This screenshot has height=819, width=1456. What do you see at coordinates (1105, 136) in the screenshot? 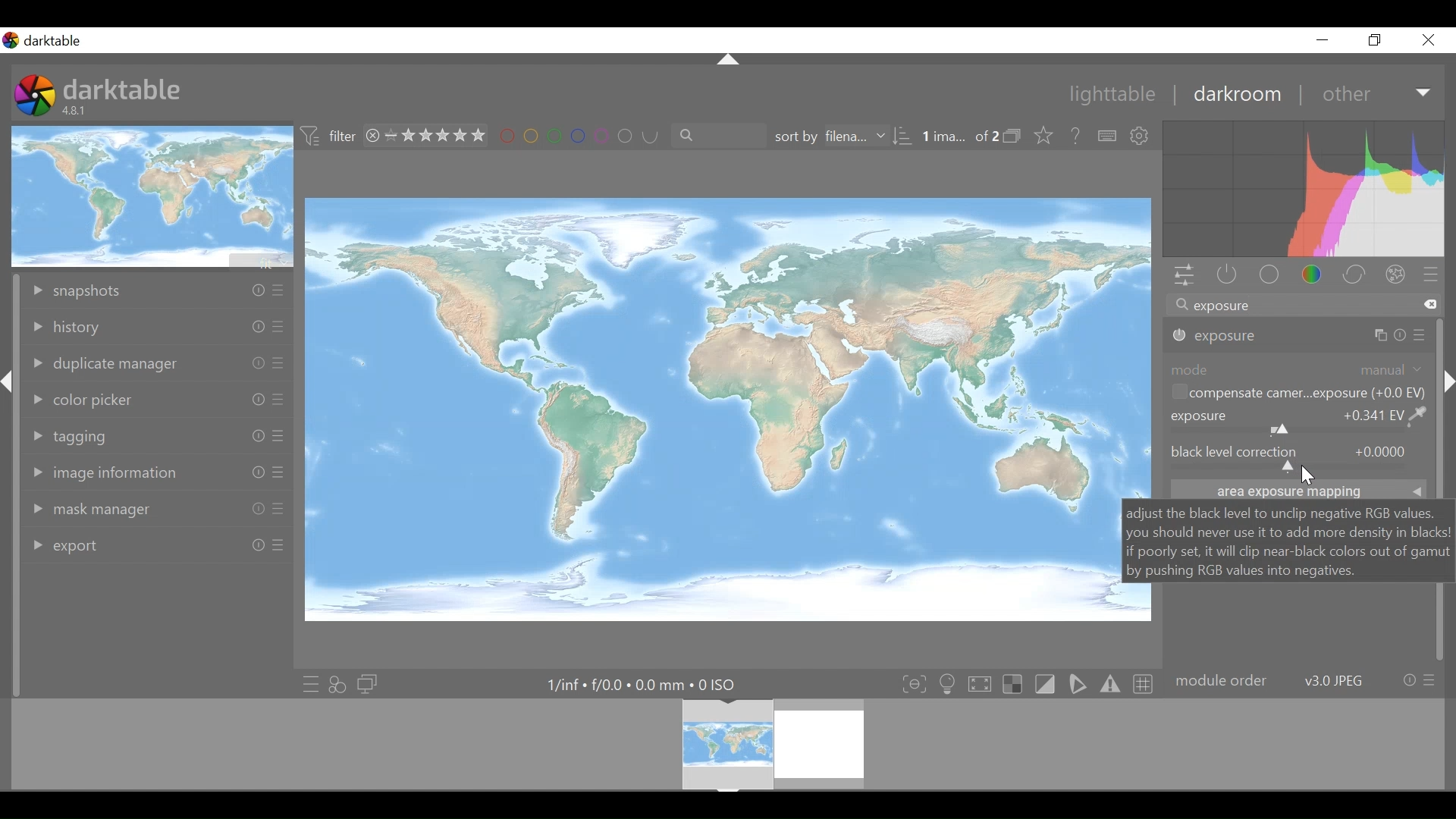
I see `define shortcut ` at bounding box center [1105, 136].